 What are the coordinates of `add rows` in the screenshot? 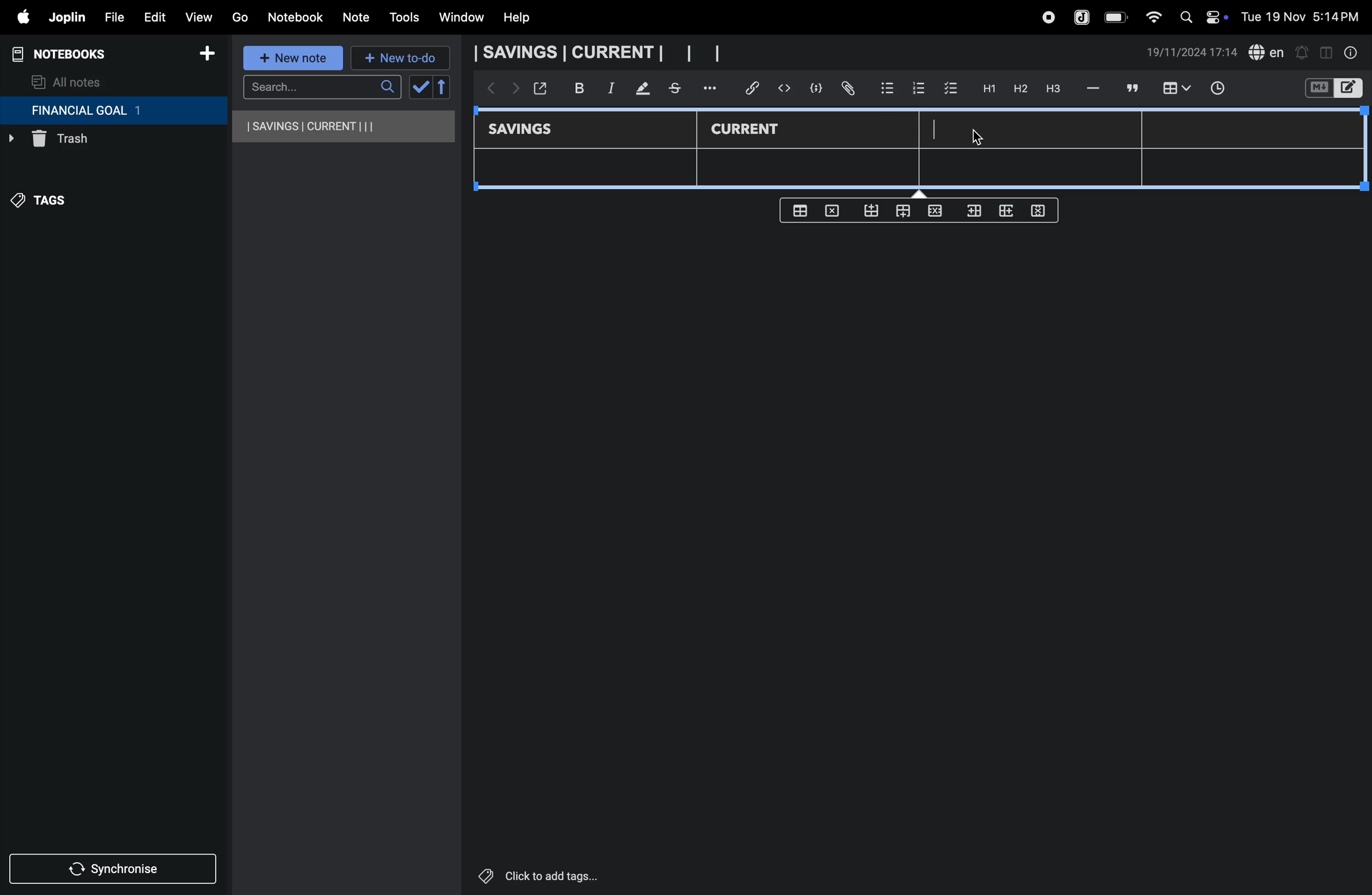 It's located at (1004, 214).